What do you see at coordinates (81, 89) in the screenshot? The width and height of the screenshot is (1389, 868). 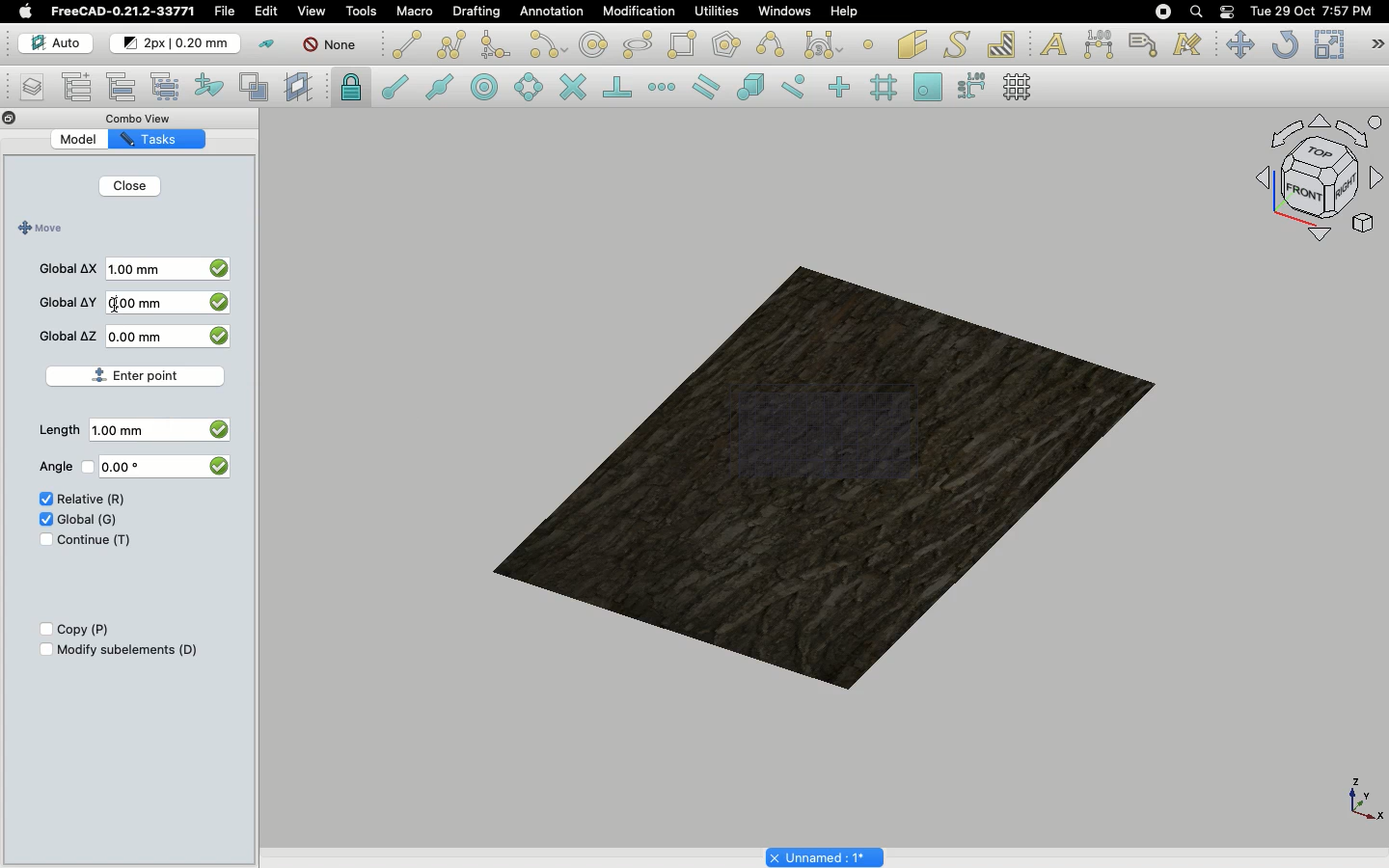 I see `Add new named group` at bounding box center [81, 89].